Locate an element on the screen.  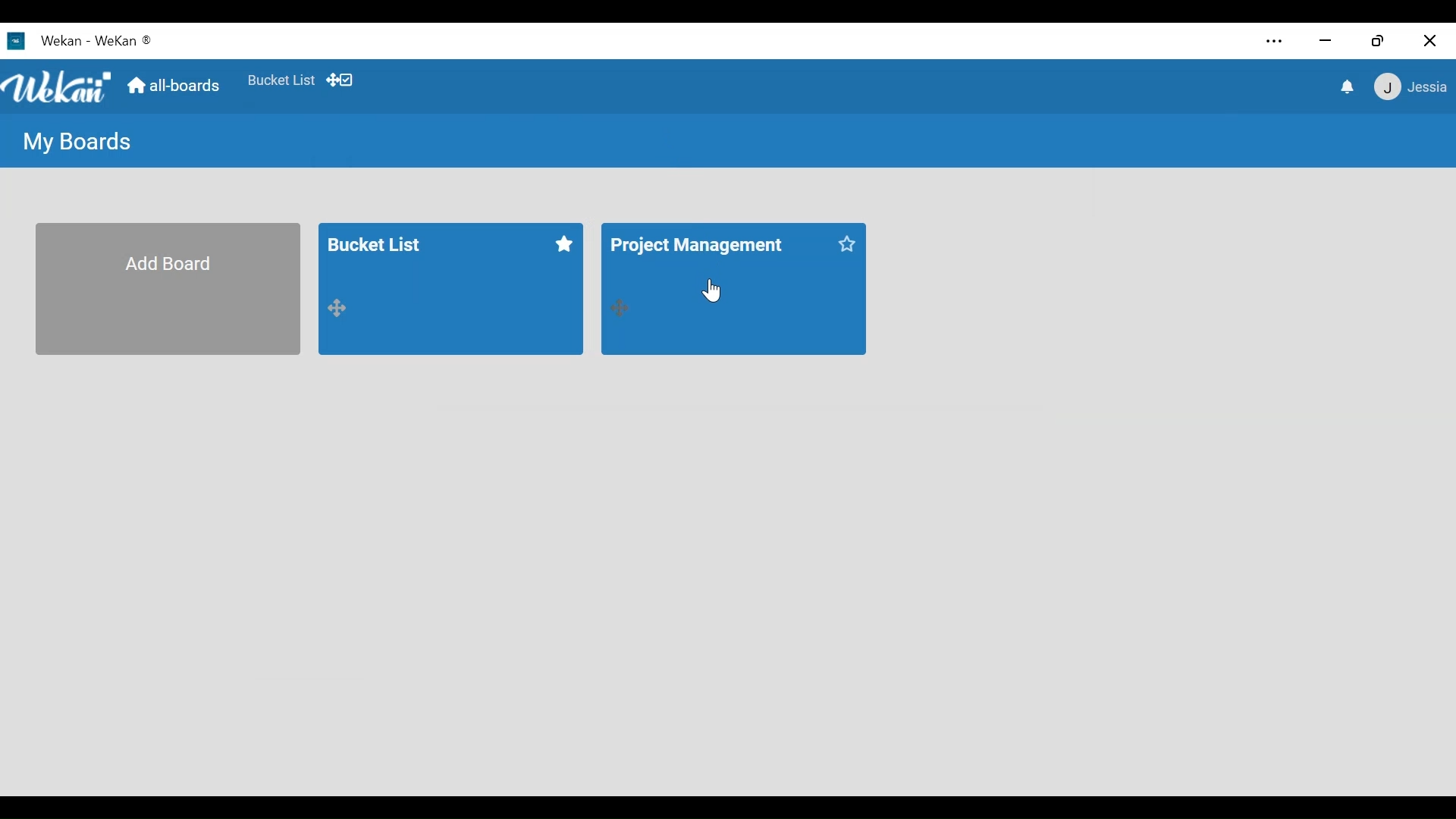
jessia is located at coordinates (1409, 87).